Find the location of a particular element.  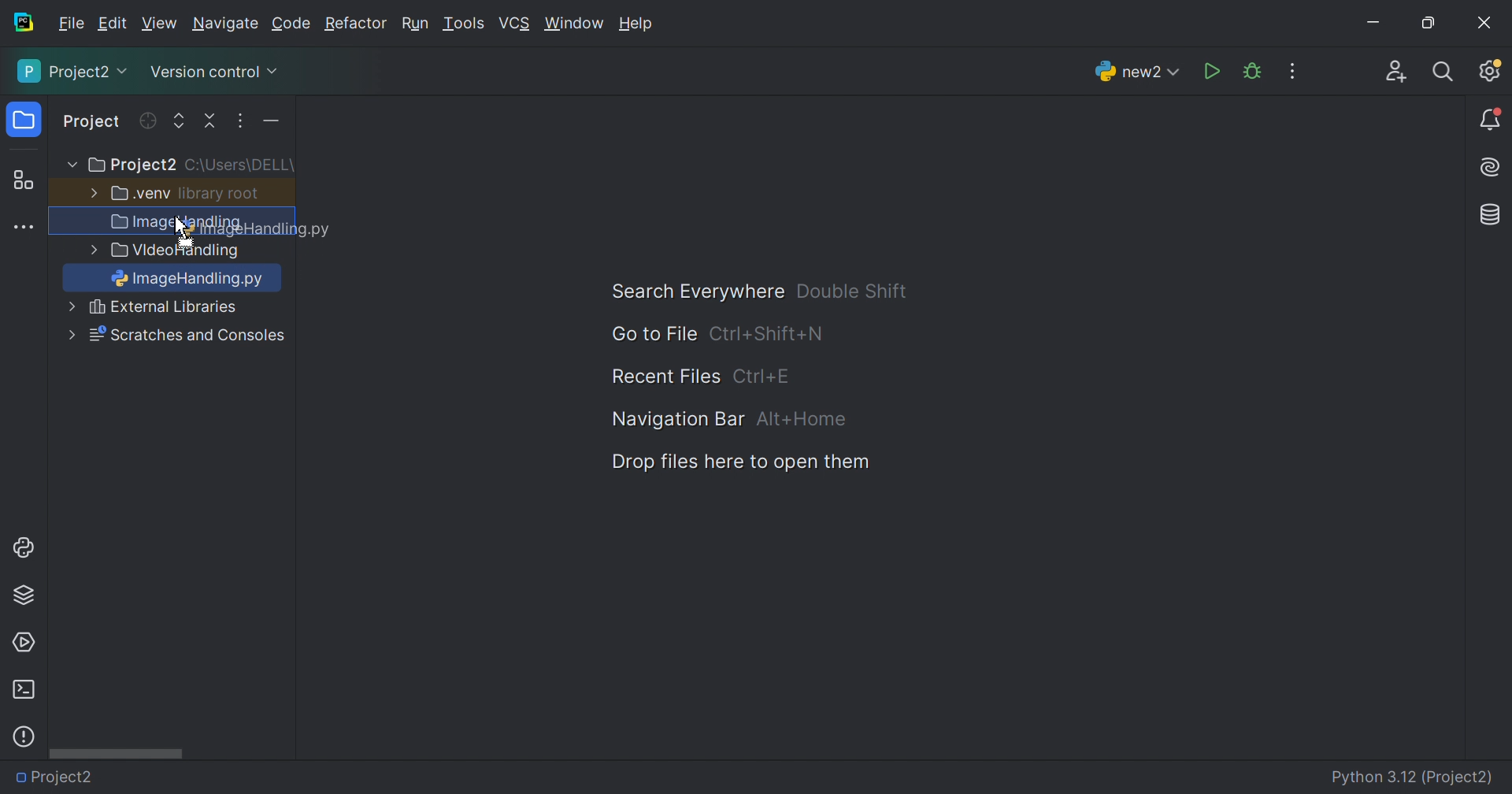

Services is located at coordinates (23, 643).